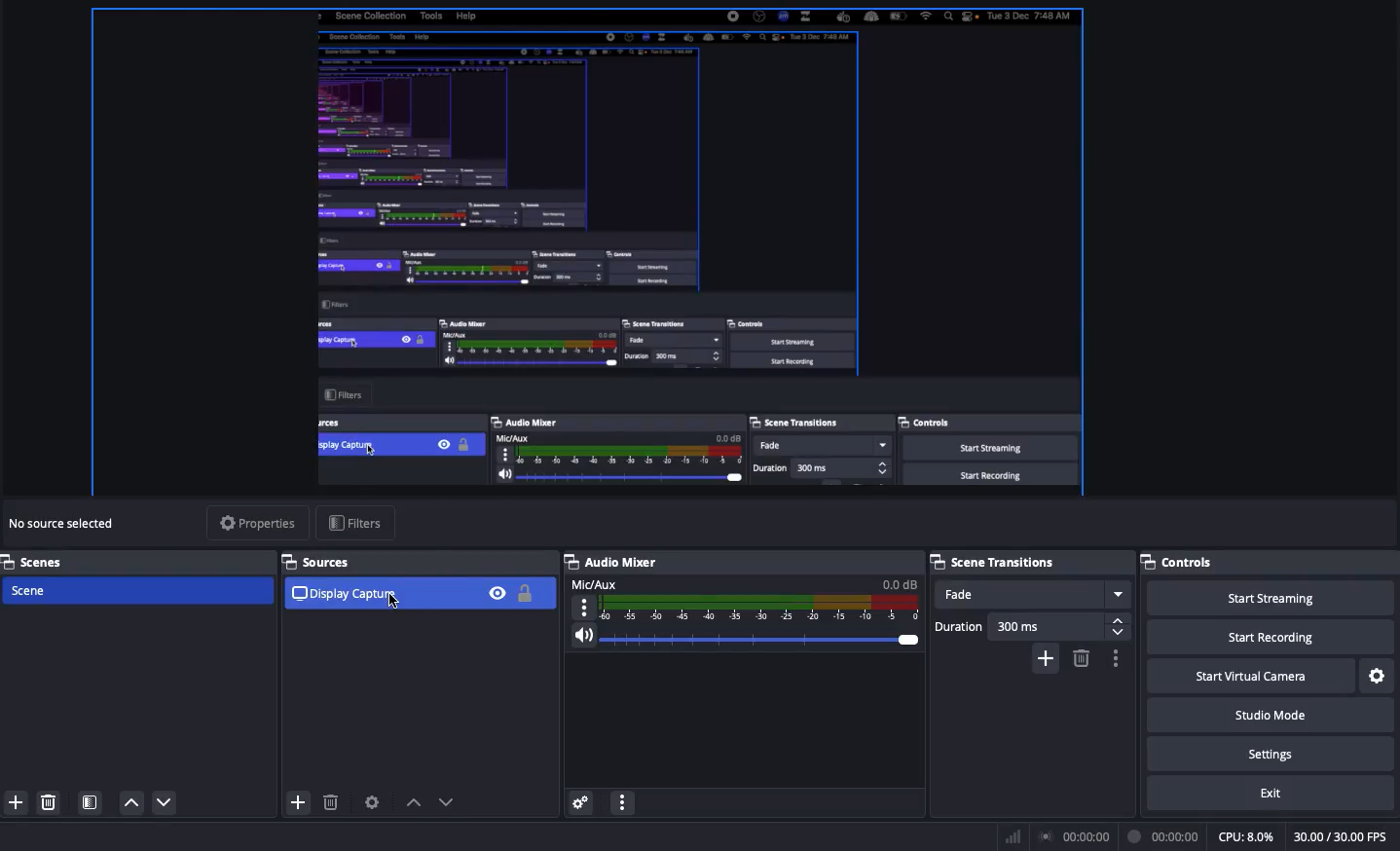 This screenshot has height=851, width=1400. Describe the element at coordinates (1377, 676) in the screenshot. I see `Settings` at that location.